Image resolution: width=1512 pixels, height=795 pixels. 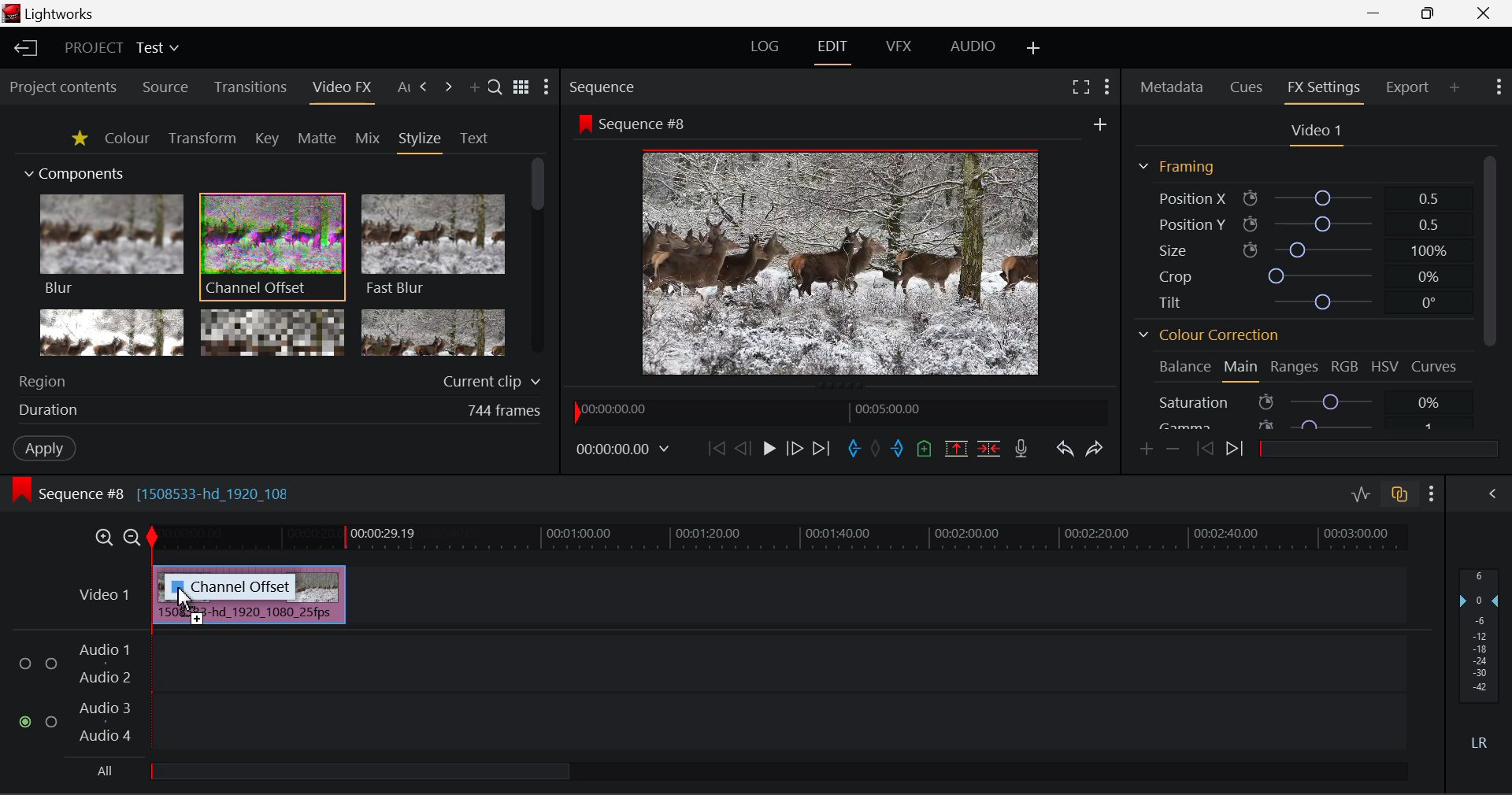 I want to click on Show Settings, so click(x=548, y=87).